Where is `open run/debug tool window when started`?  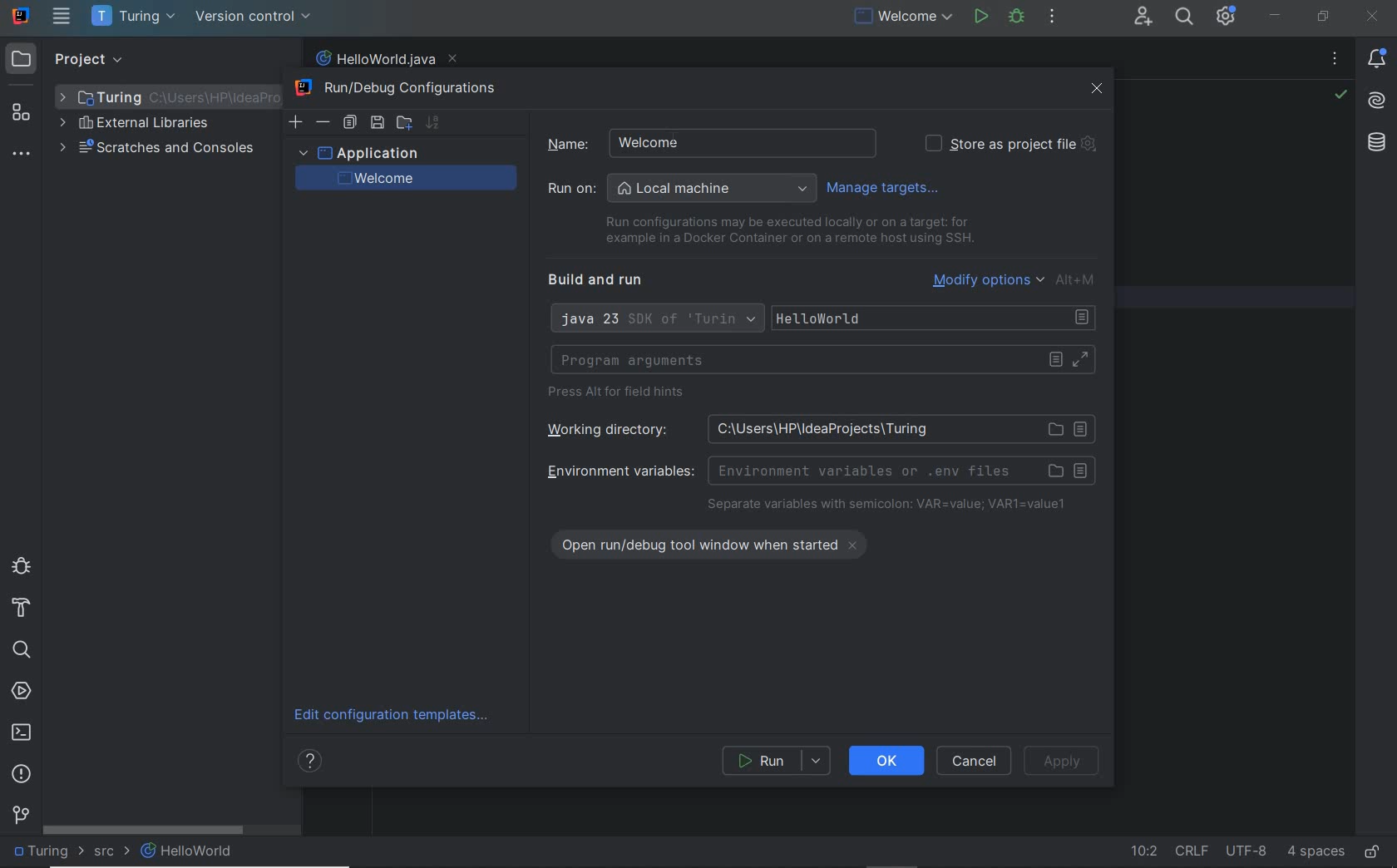 open run/debug tool window when started is located at coordinates (719, 542).